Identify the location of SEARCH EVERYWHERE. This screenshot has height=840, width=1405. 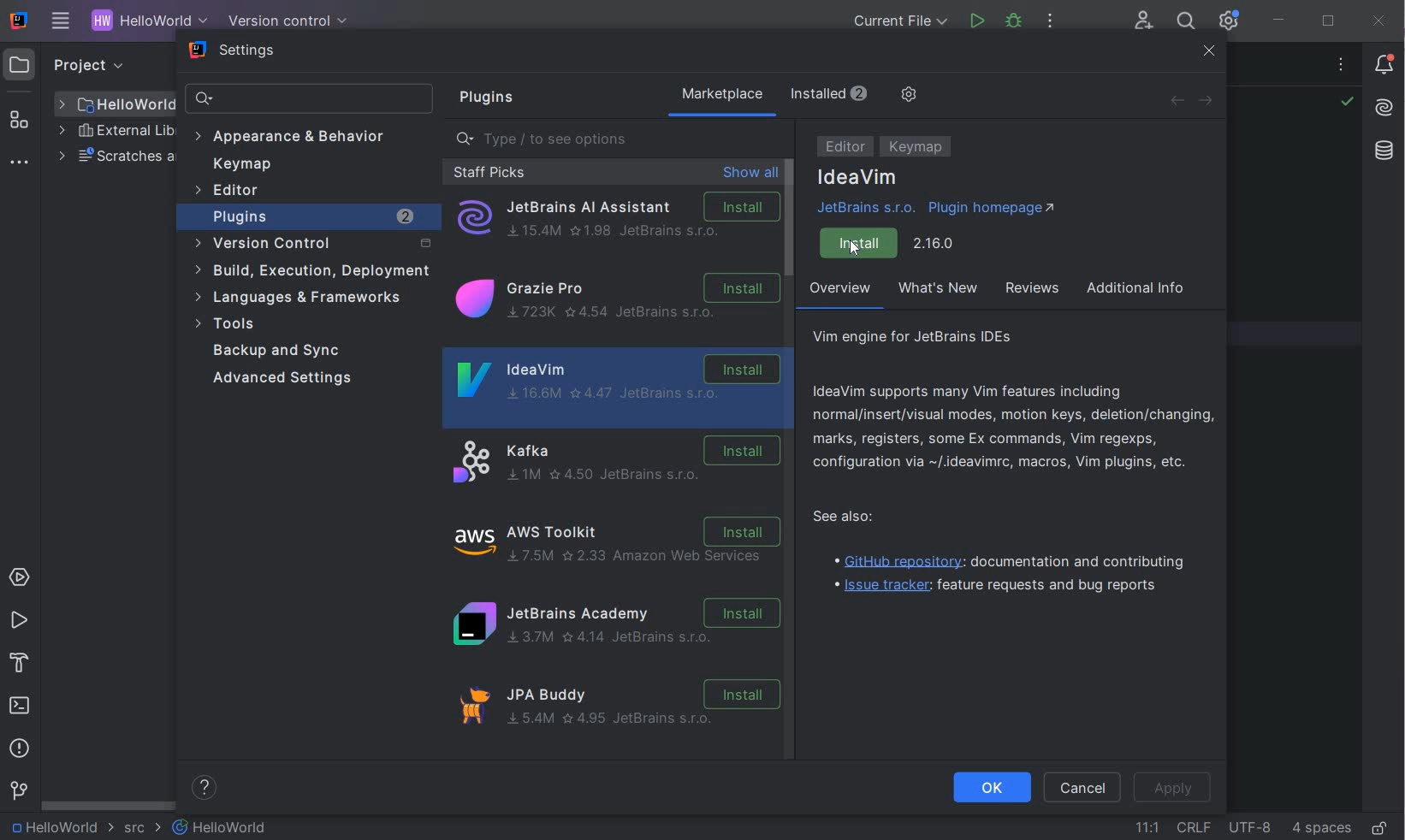
(1185, 23).